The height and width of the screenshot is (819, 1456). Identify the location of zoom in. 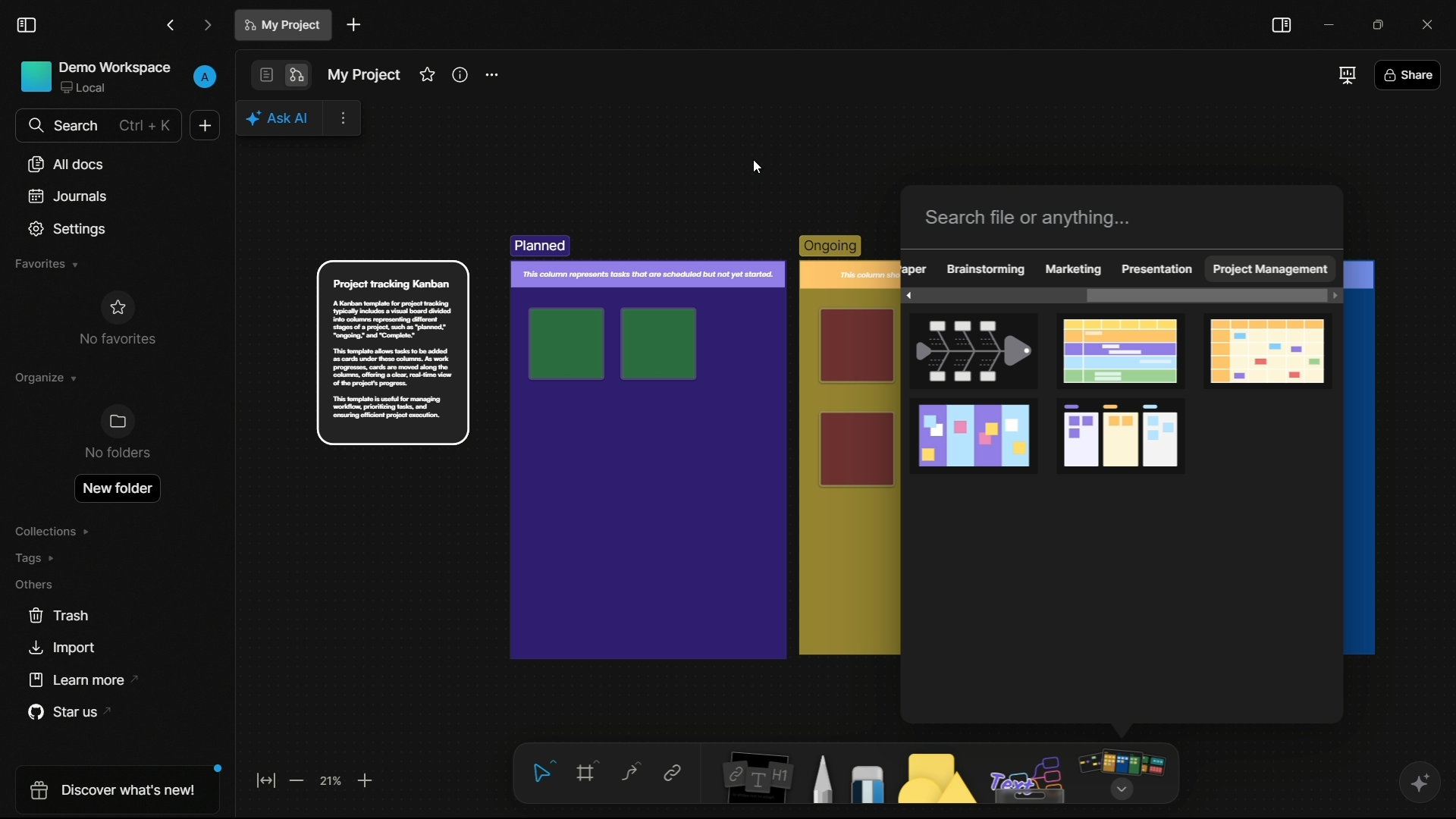
(366, 780).